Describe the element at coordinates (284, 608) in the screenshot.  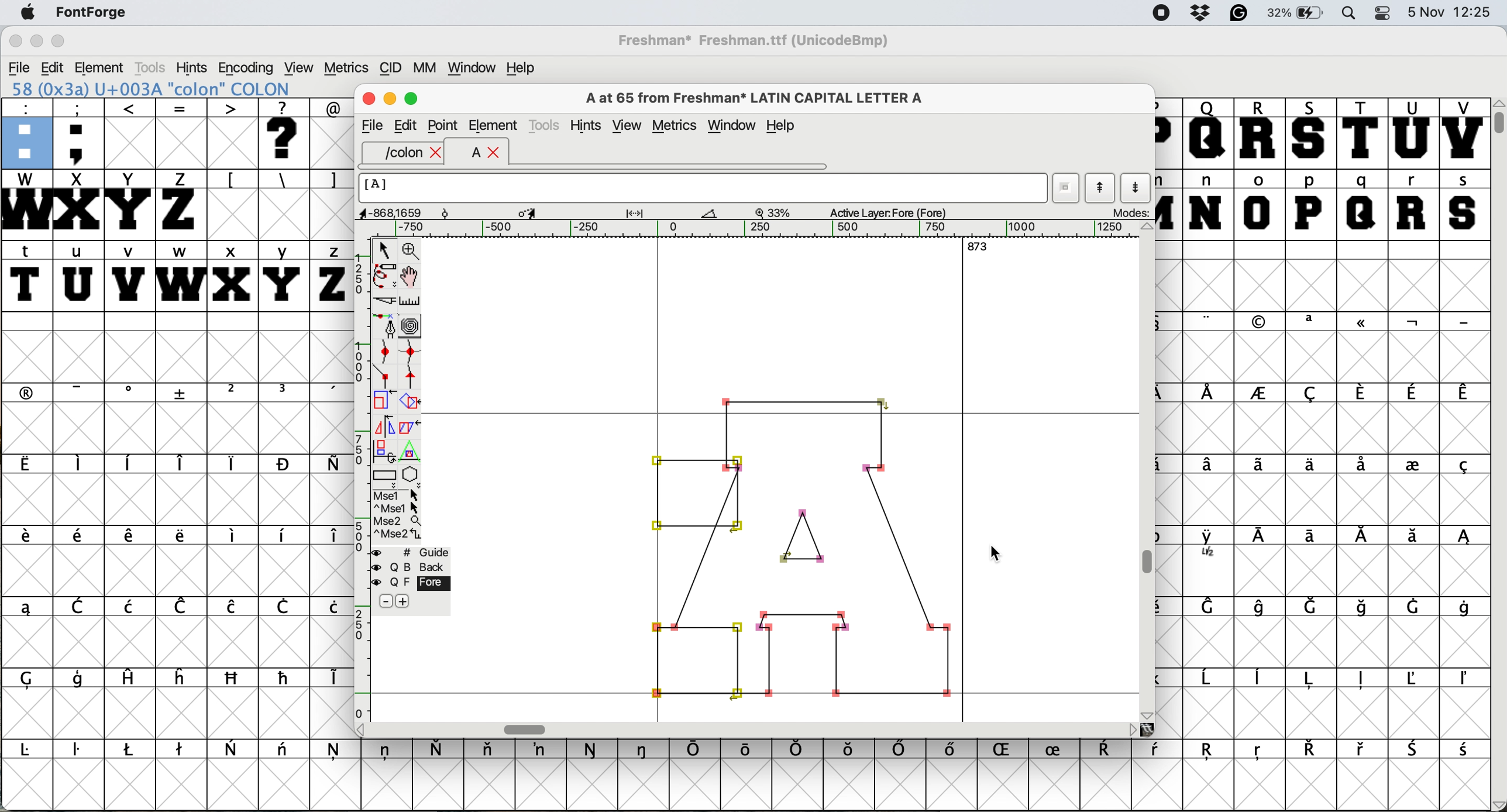
I see `symbol` at that location.